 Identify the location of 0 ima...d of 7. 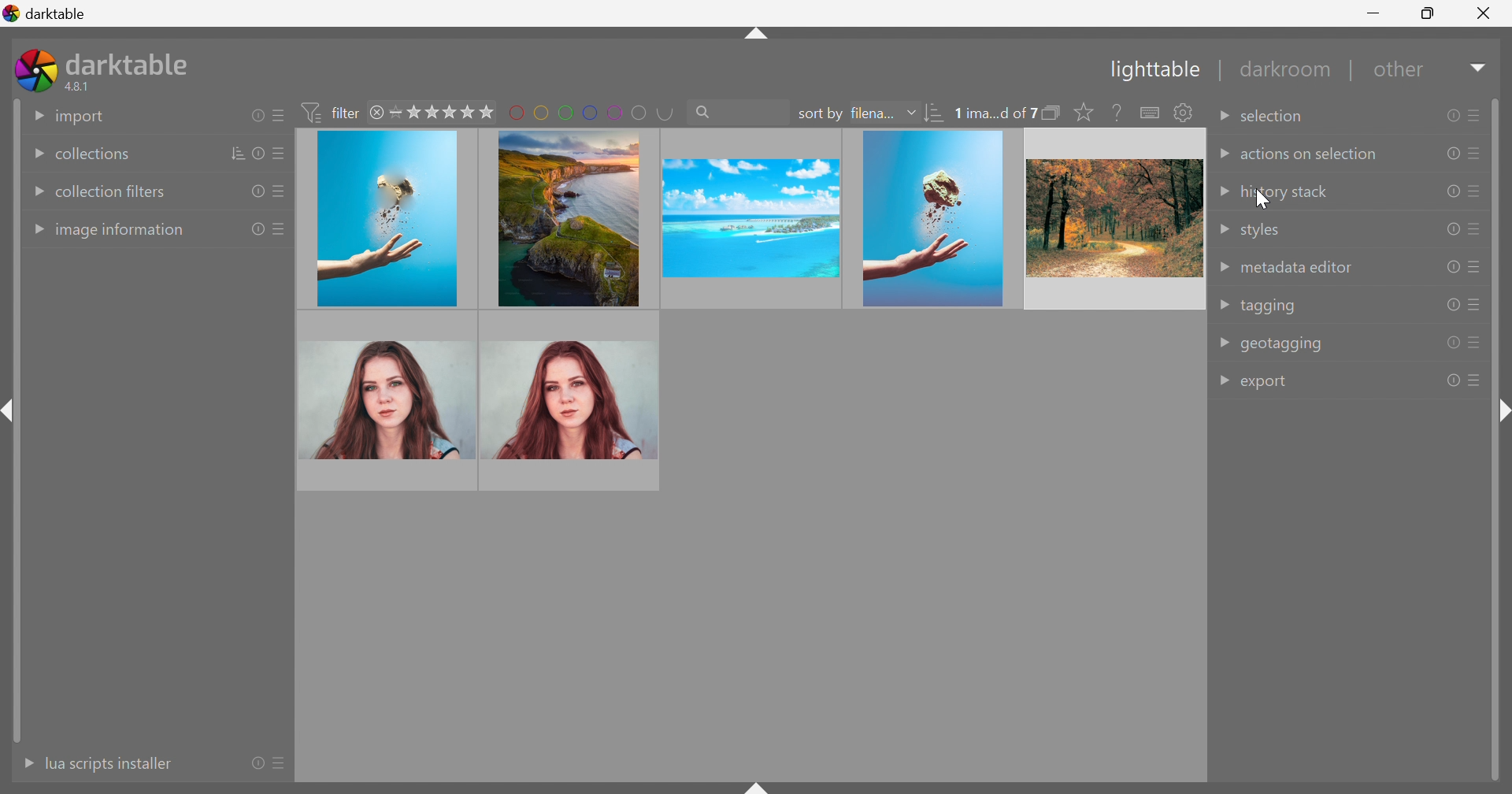
(995, 113).